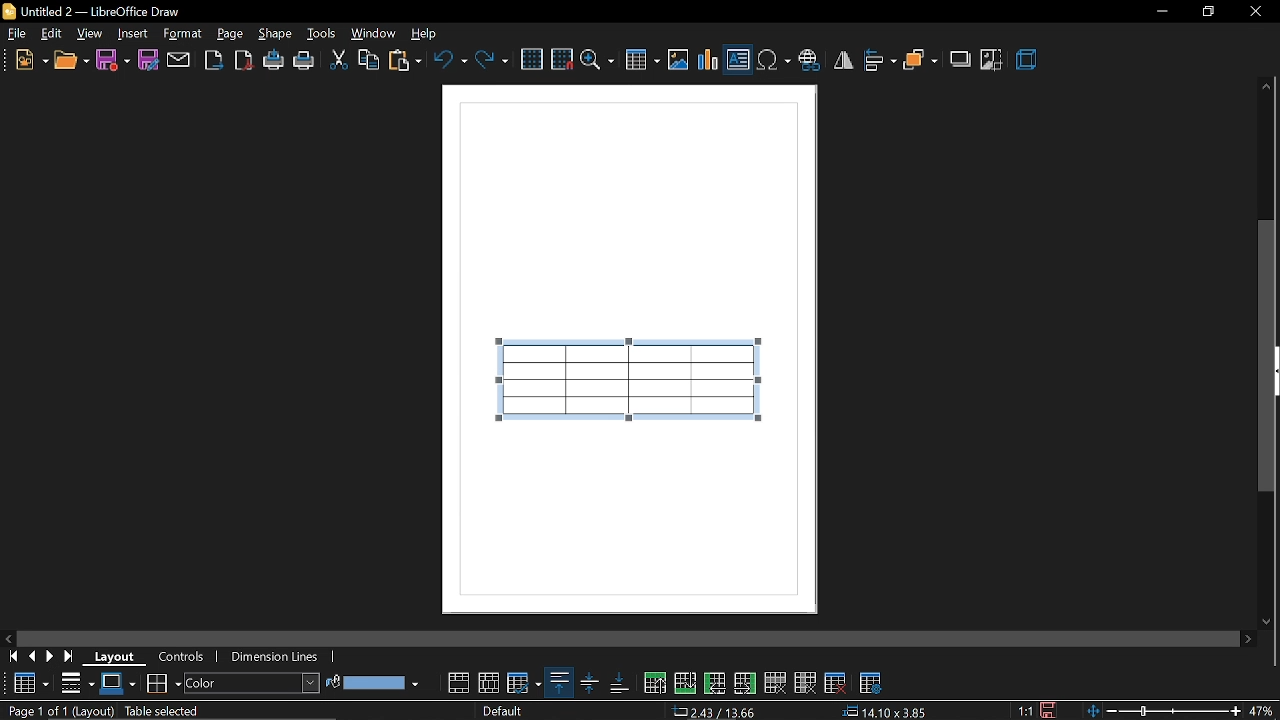 The image size is (1280, 720). Describe the element at coordinates (51, 656) in the screenshot. I see `next page` at that location.